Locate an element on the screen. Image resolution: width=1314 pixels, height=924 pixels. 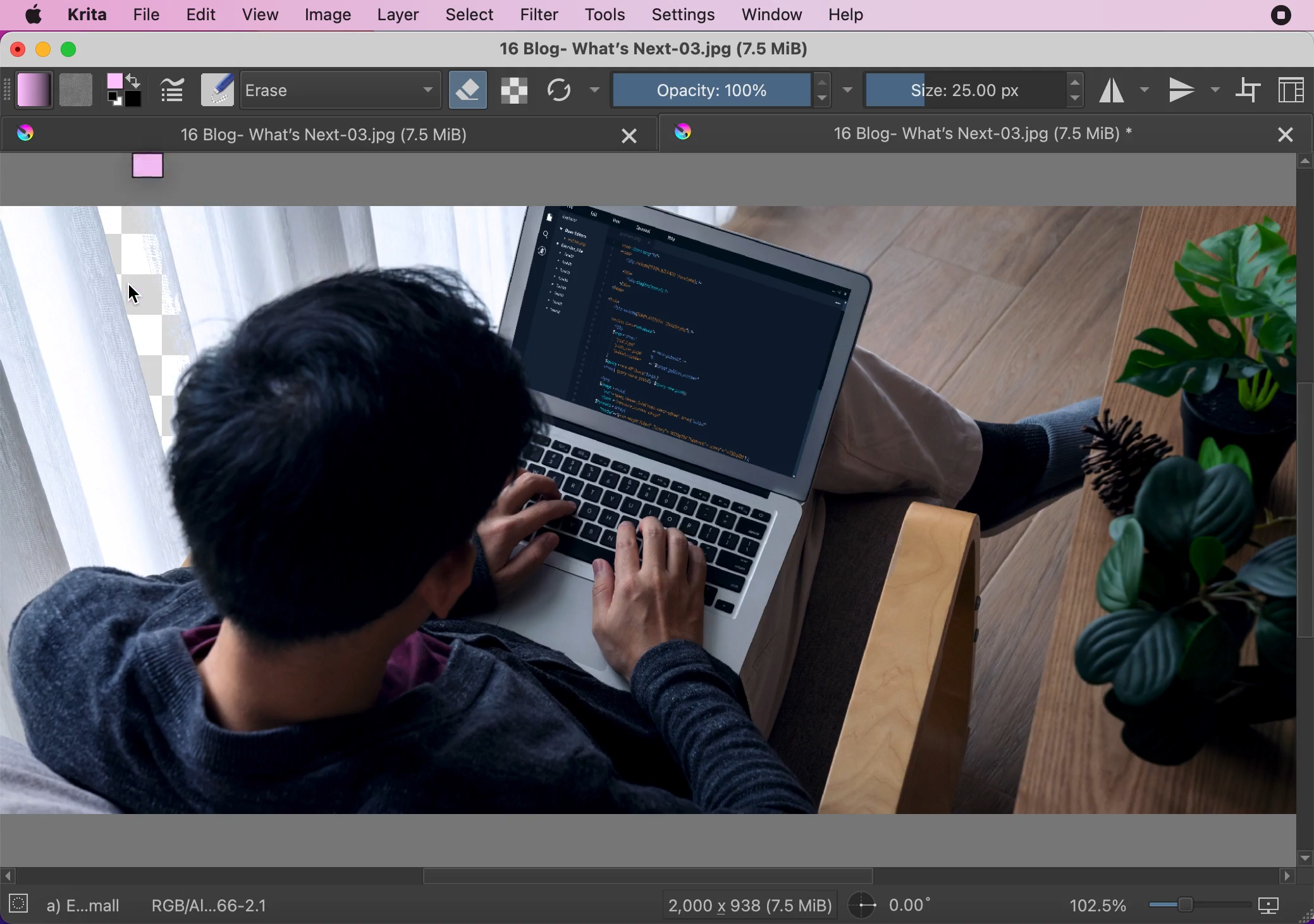
preserve alpha is located at coordinates (512, 90).